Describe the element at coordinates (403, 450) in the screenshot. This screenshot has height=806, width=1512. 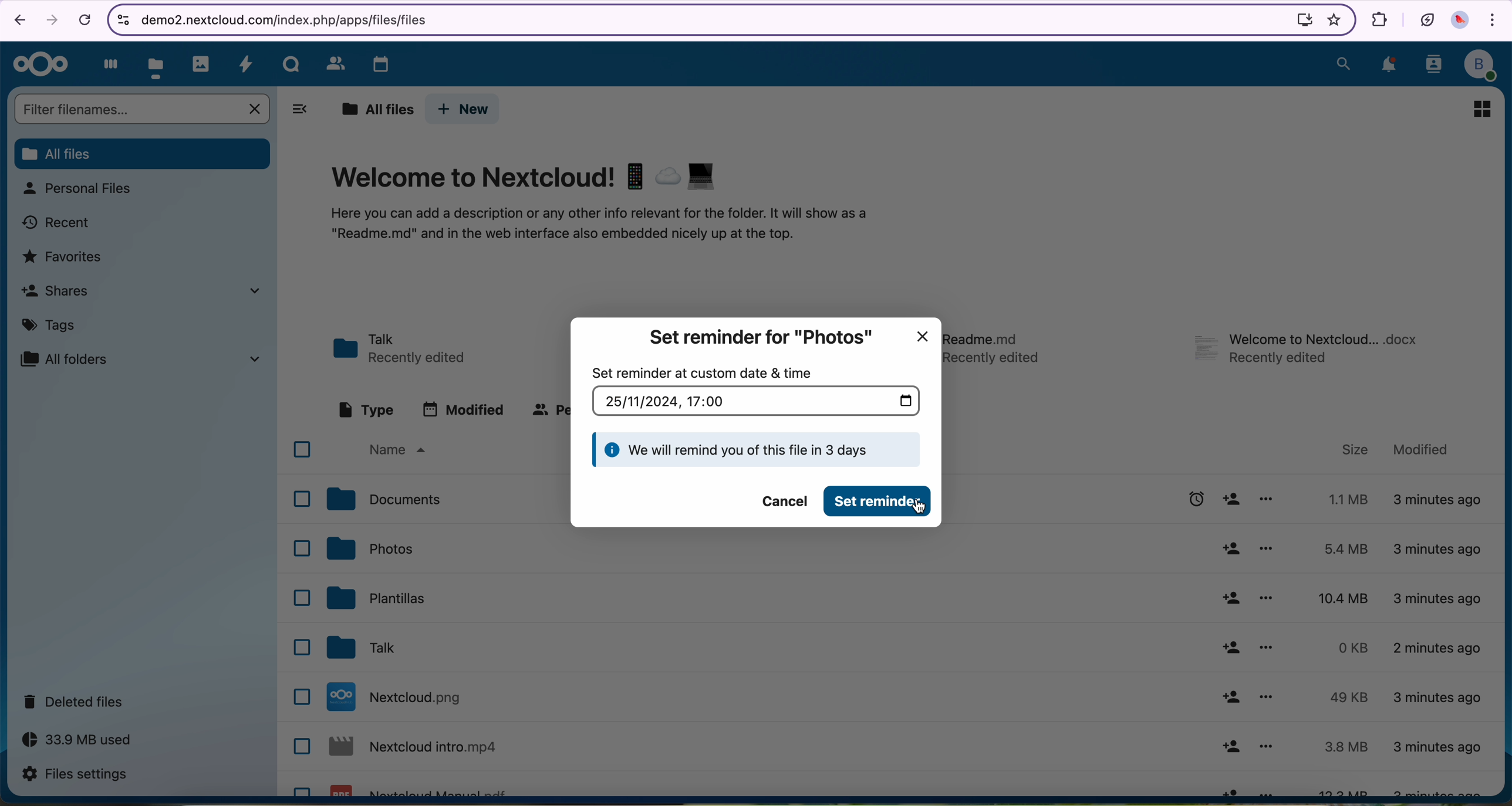
I see `name` at that location.